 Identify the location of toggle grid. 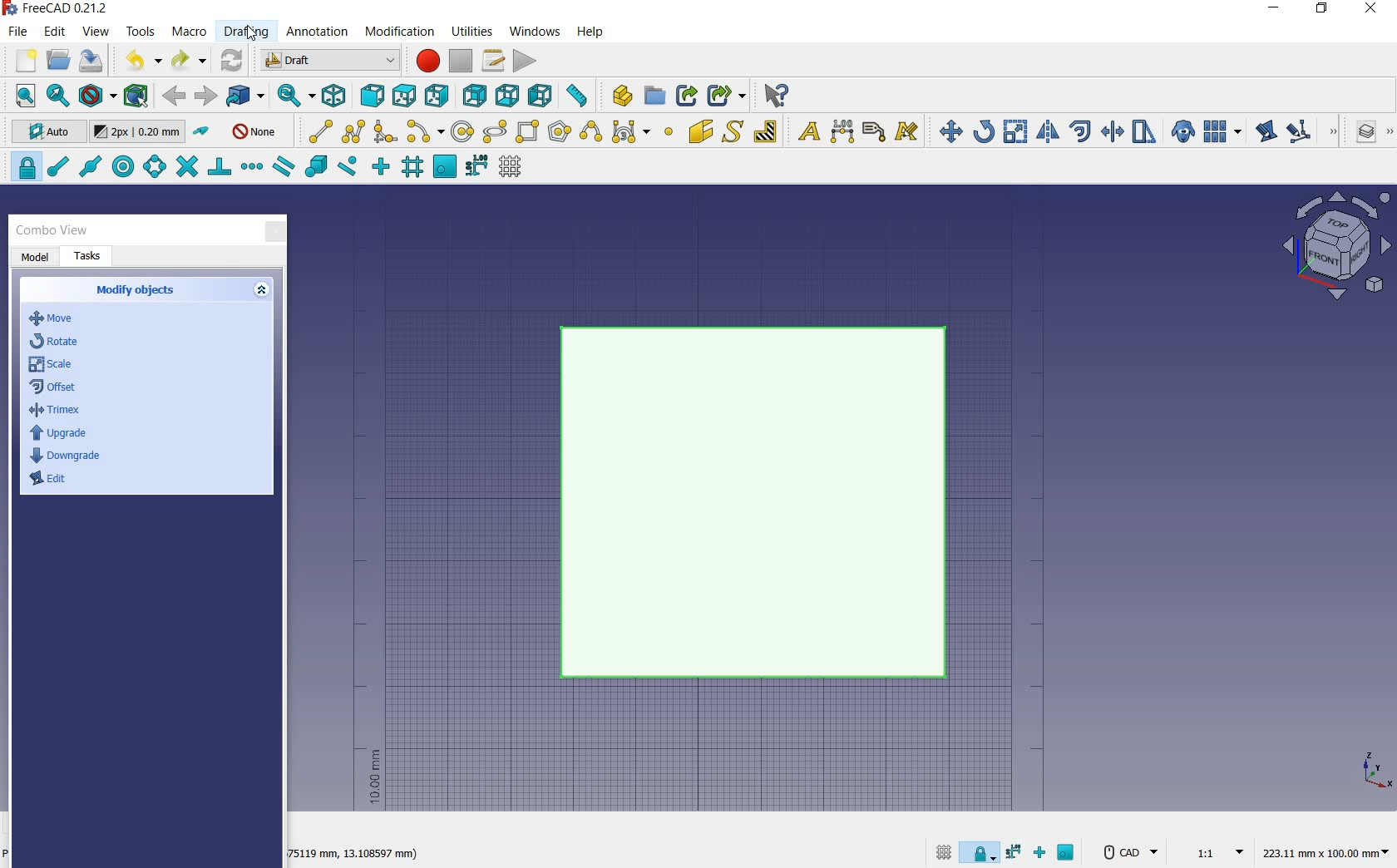
(941, 851).